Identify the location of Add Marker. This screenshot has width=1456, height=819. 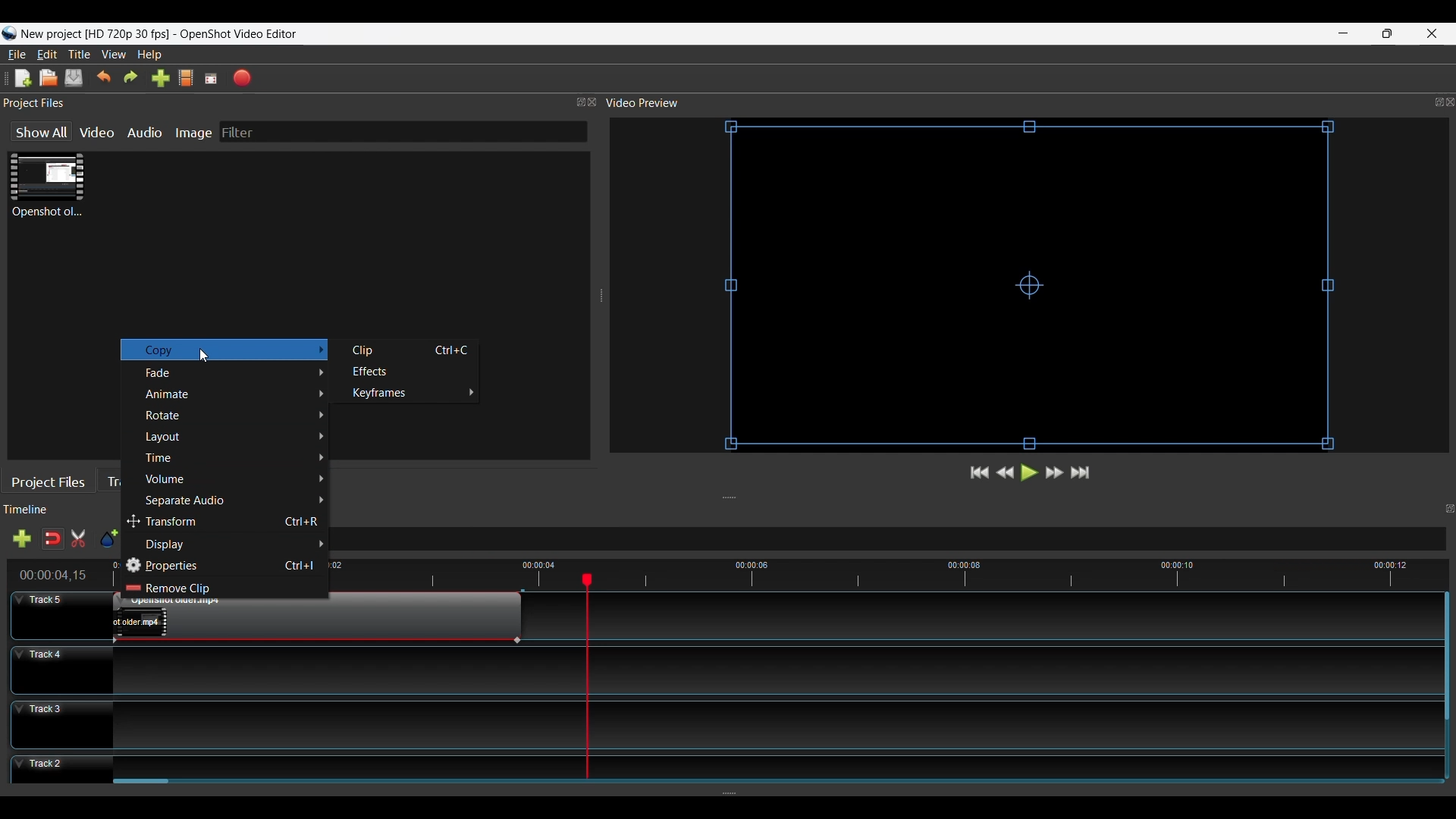
(108, 539).